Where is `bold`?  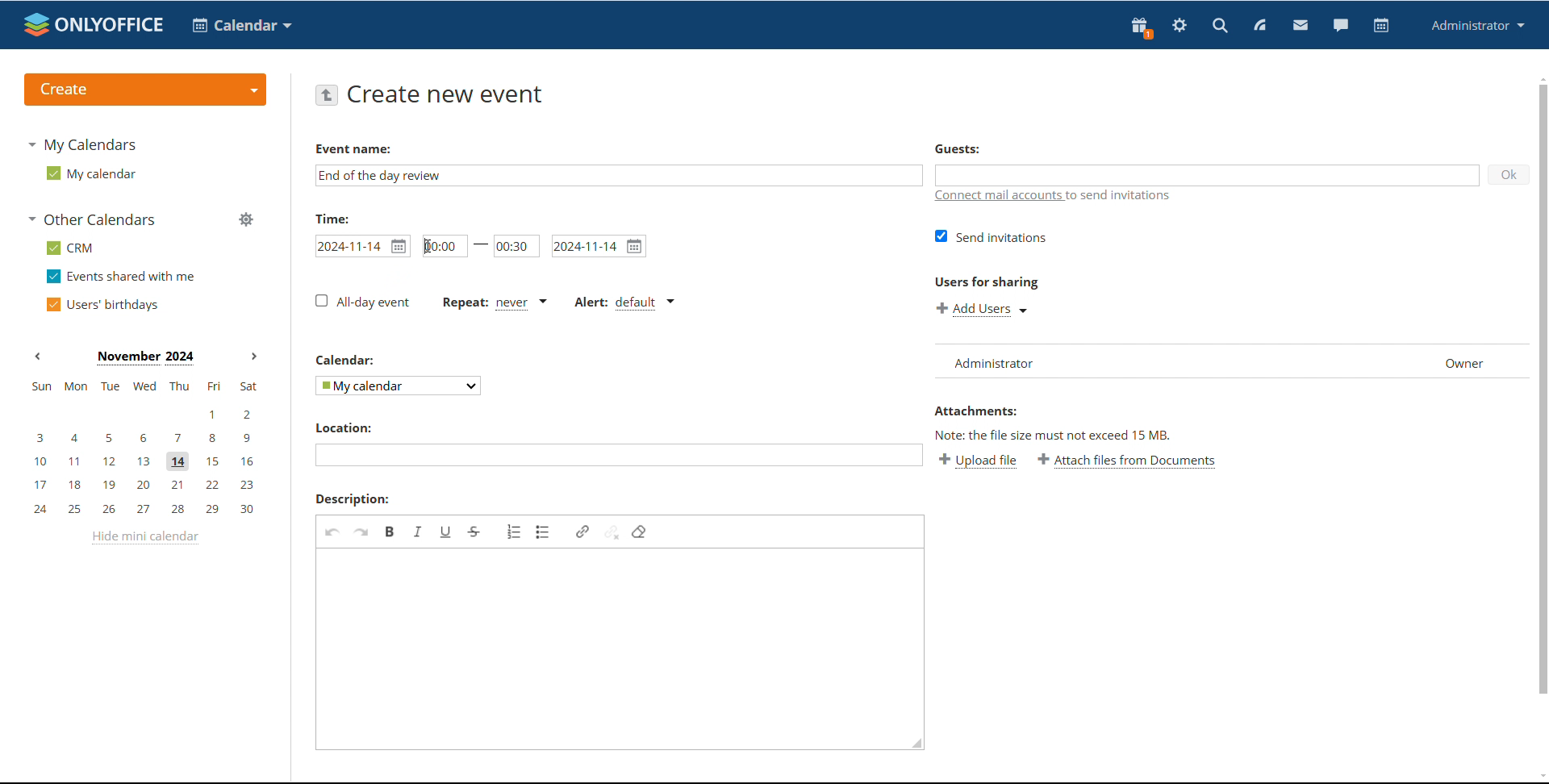
bold is located at coordinates (390, 531).